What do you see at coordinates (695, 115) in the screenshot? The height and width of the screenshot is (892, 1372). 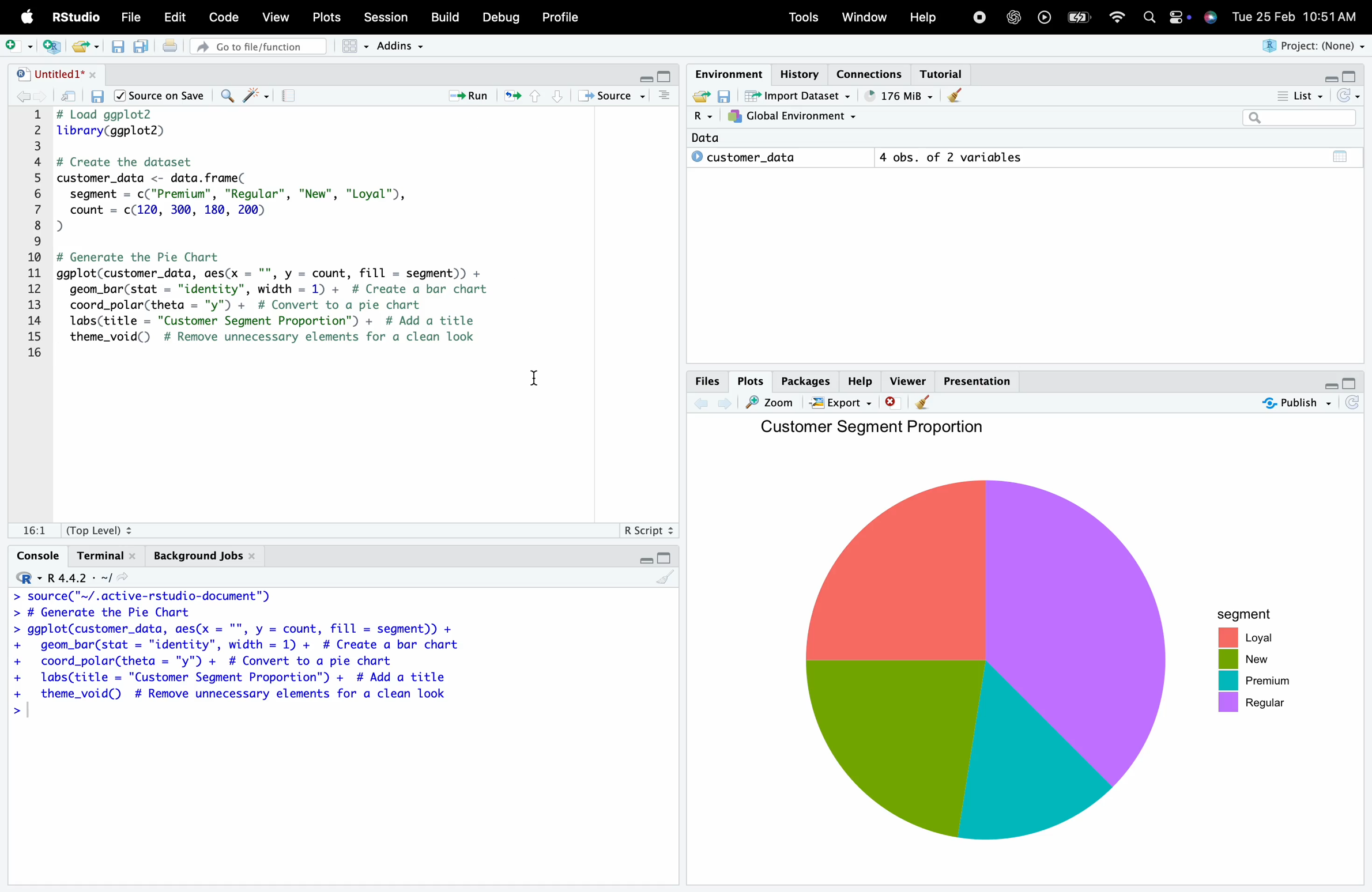 I see `R` at bounding box center [695, 115].